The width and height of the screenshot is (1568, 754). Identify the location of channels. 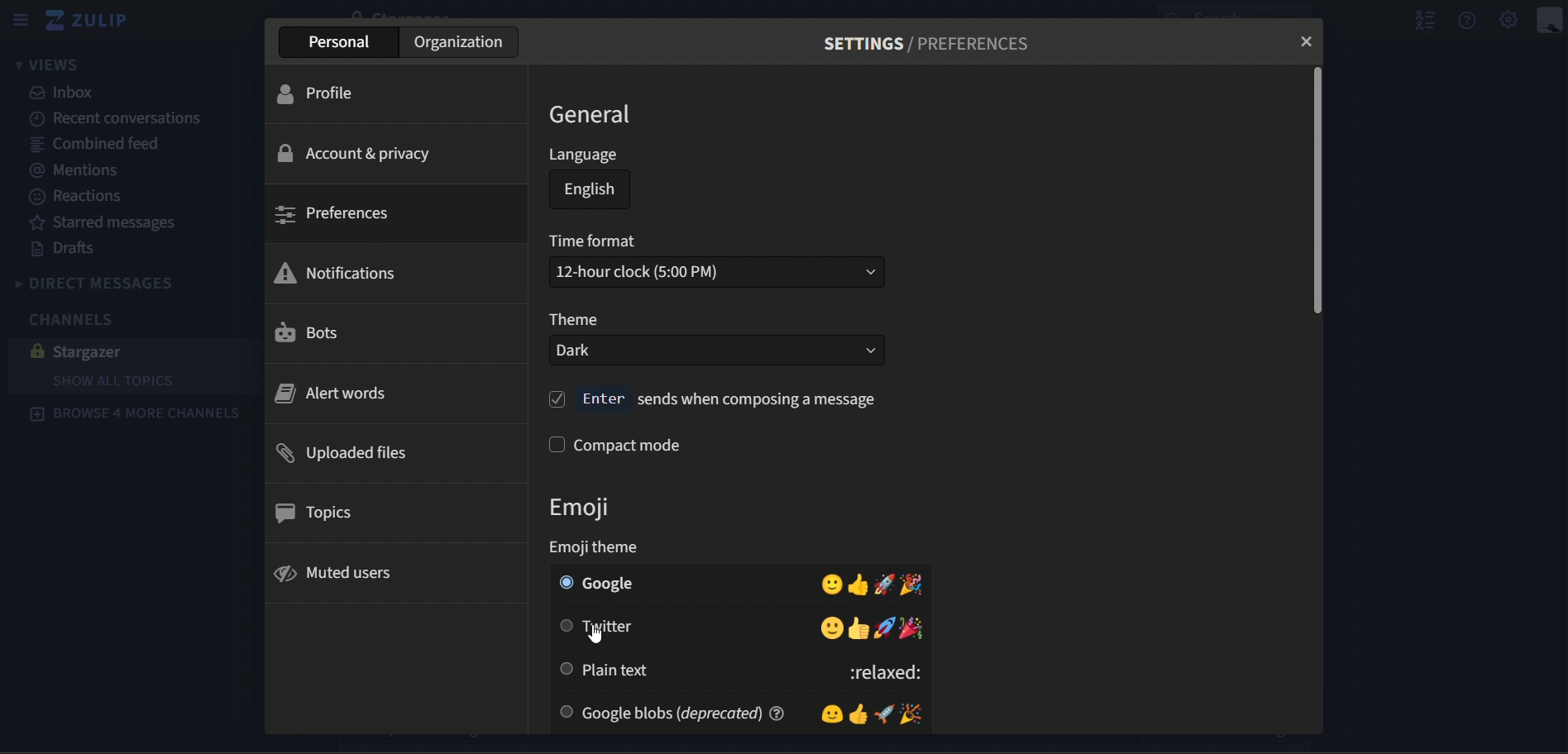
(79, 322).